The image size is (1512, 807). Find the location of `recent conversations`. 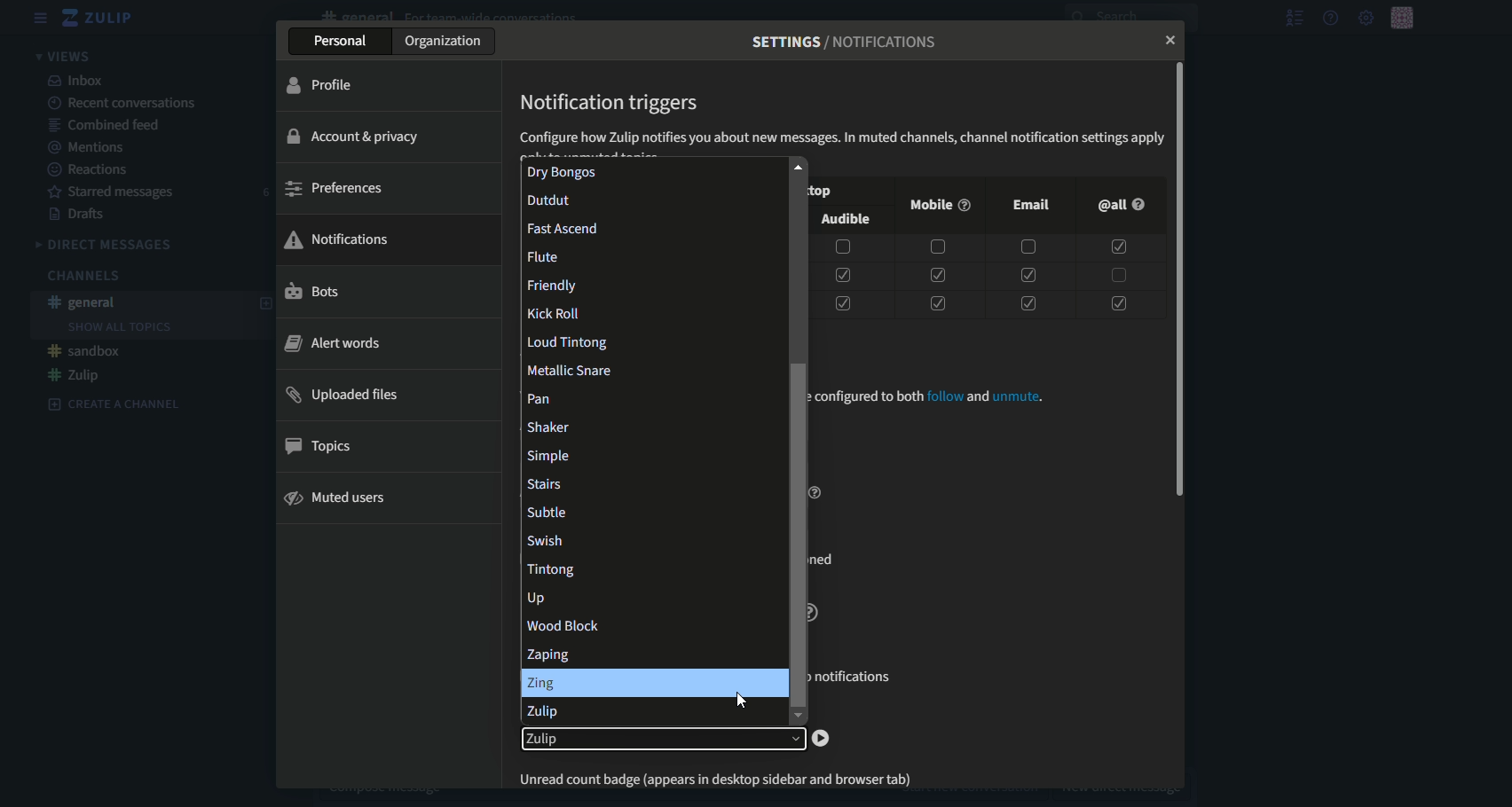

recent conversations is located at coordinates (124, 103).